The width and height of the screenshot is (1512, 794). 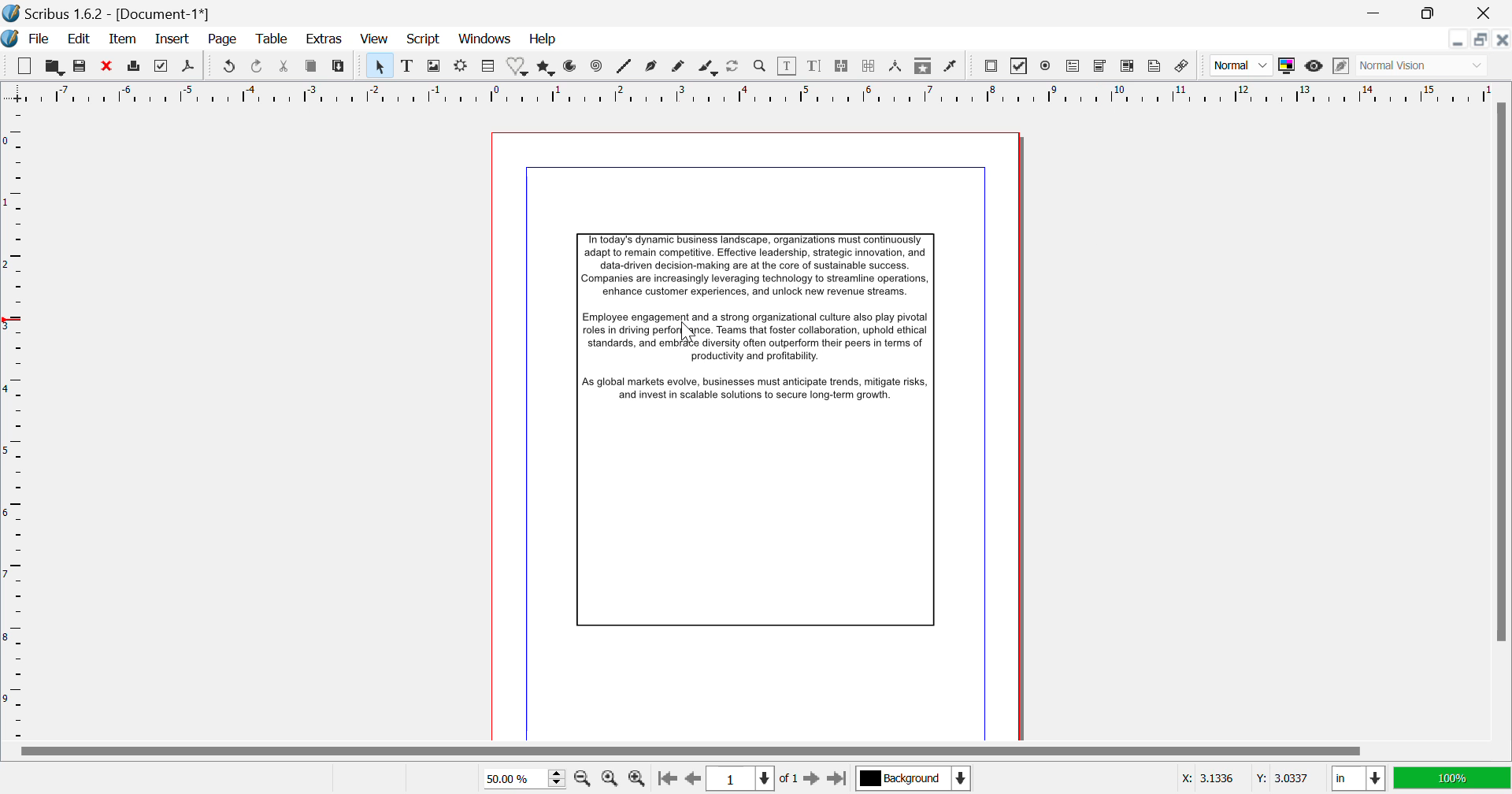 What do you see at coordinates (923, 65) in the screenshot?
I see `Copy Item Properties` at bounding box center [923, 65].